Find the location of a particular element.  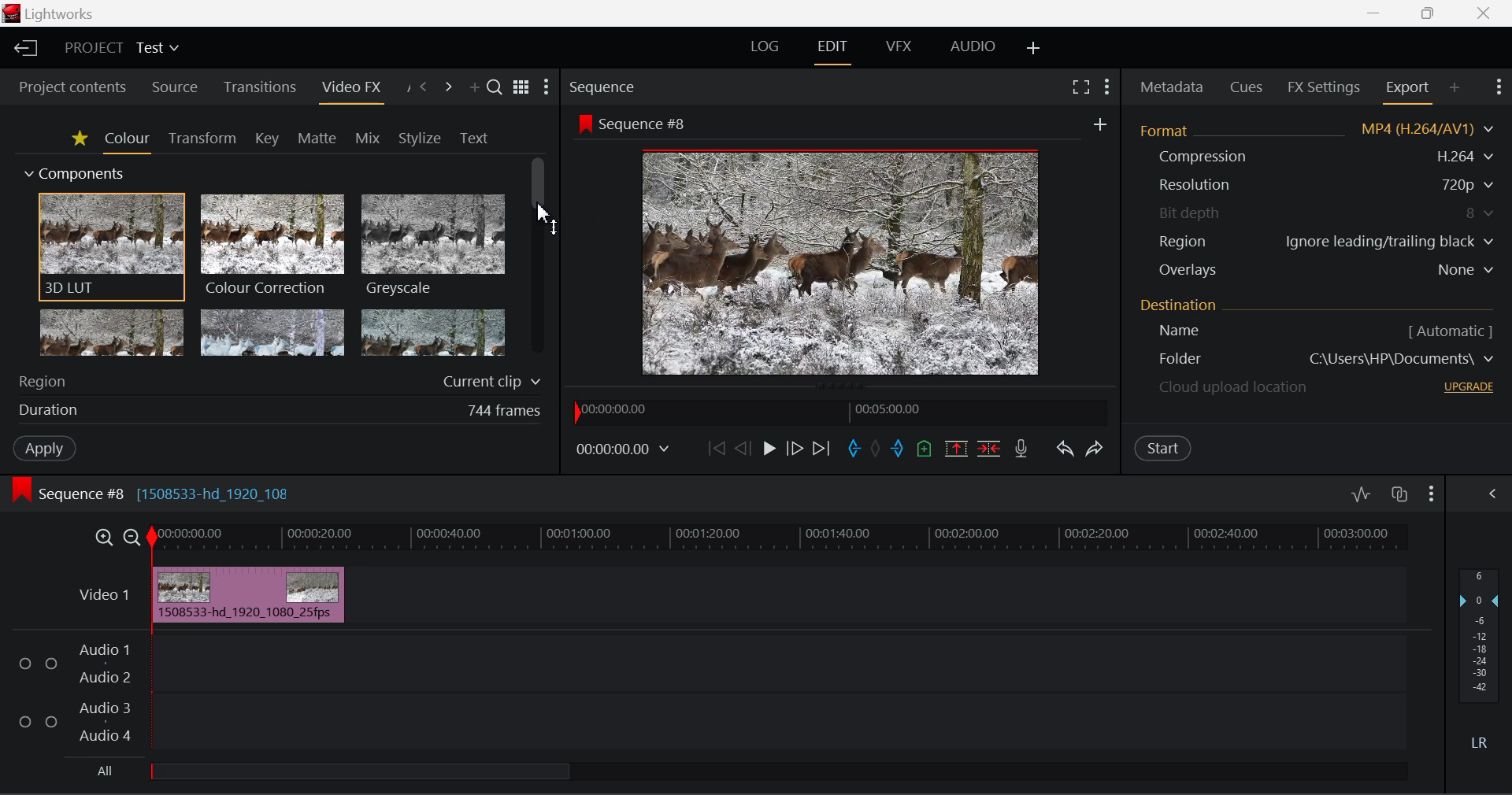

Search is located at coordinates (496, 90).